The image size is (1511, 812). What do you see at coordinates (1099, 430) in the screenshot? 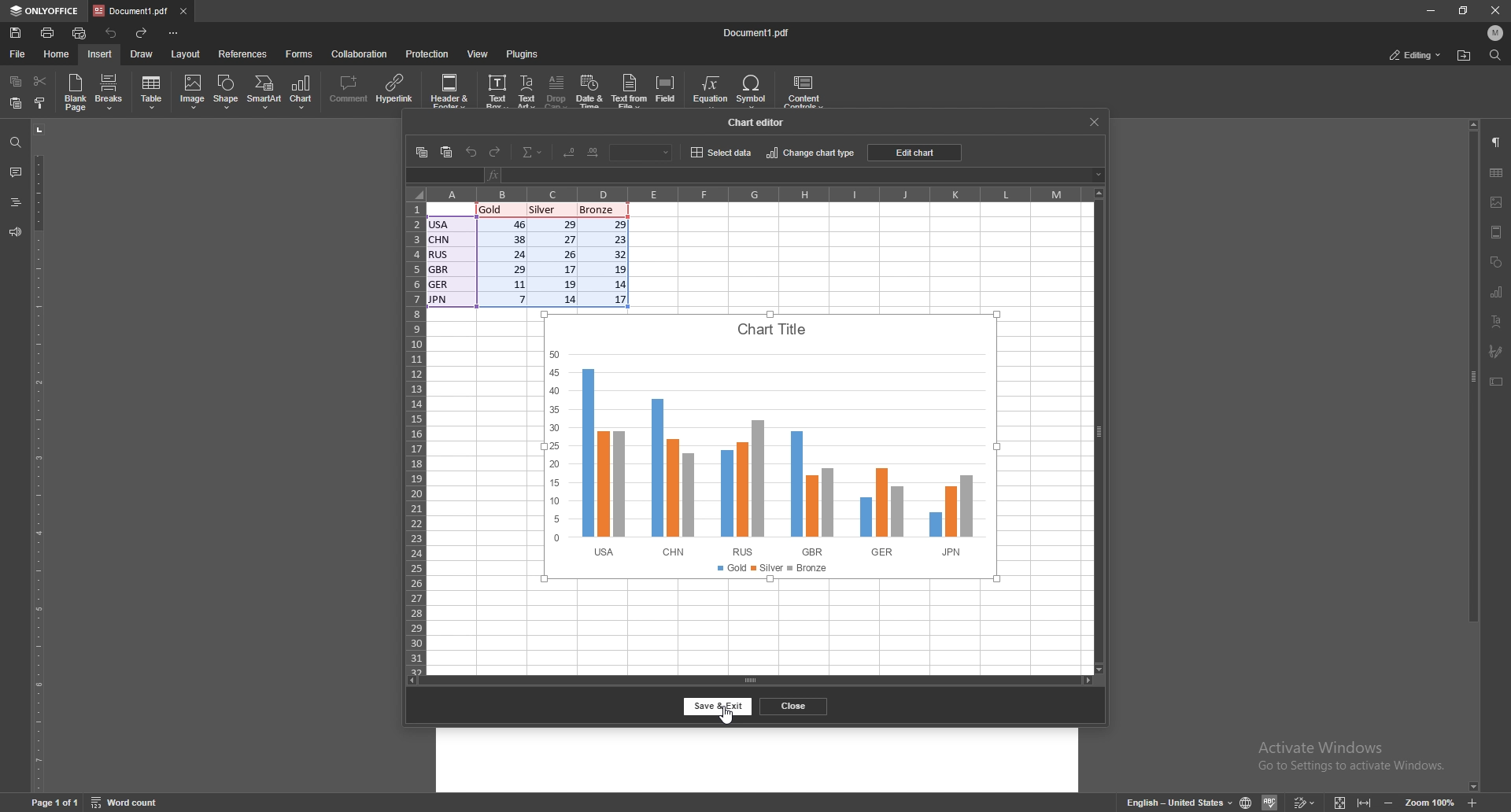
I see `scroll bar` at bounding box center [1099, 430].